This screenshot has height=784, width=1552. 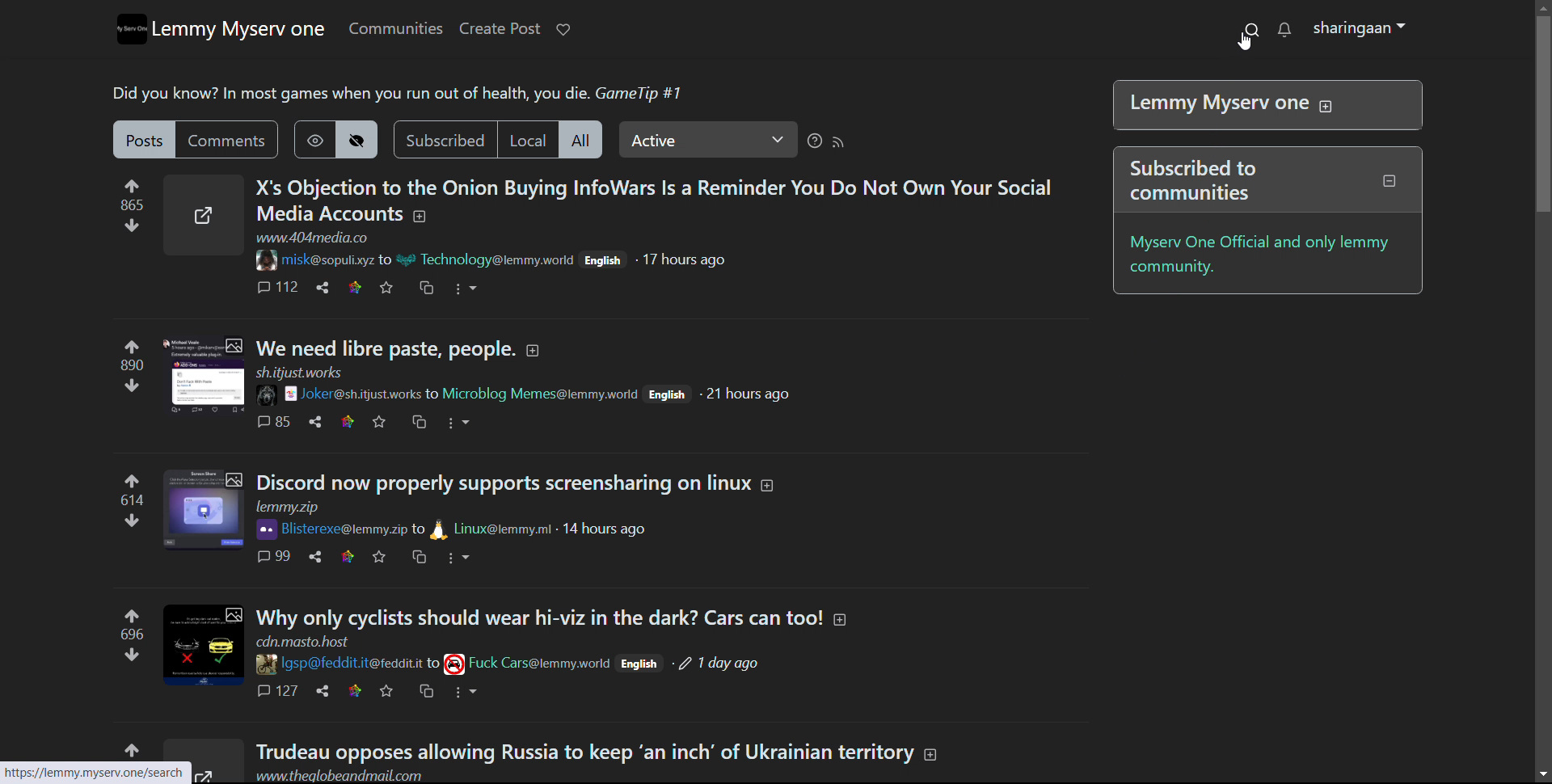 What do you see at coordinates (318, 690) in the screenshot?
I see `share` at bounding box center [318, 690].